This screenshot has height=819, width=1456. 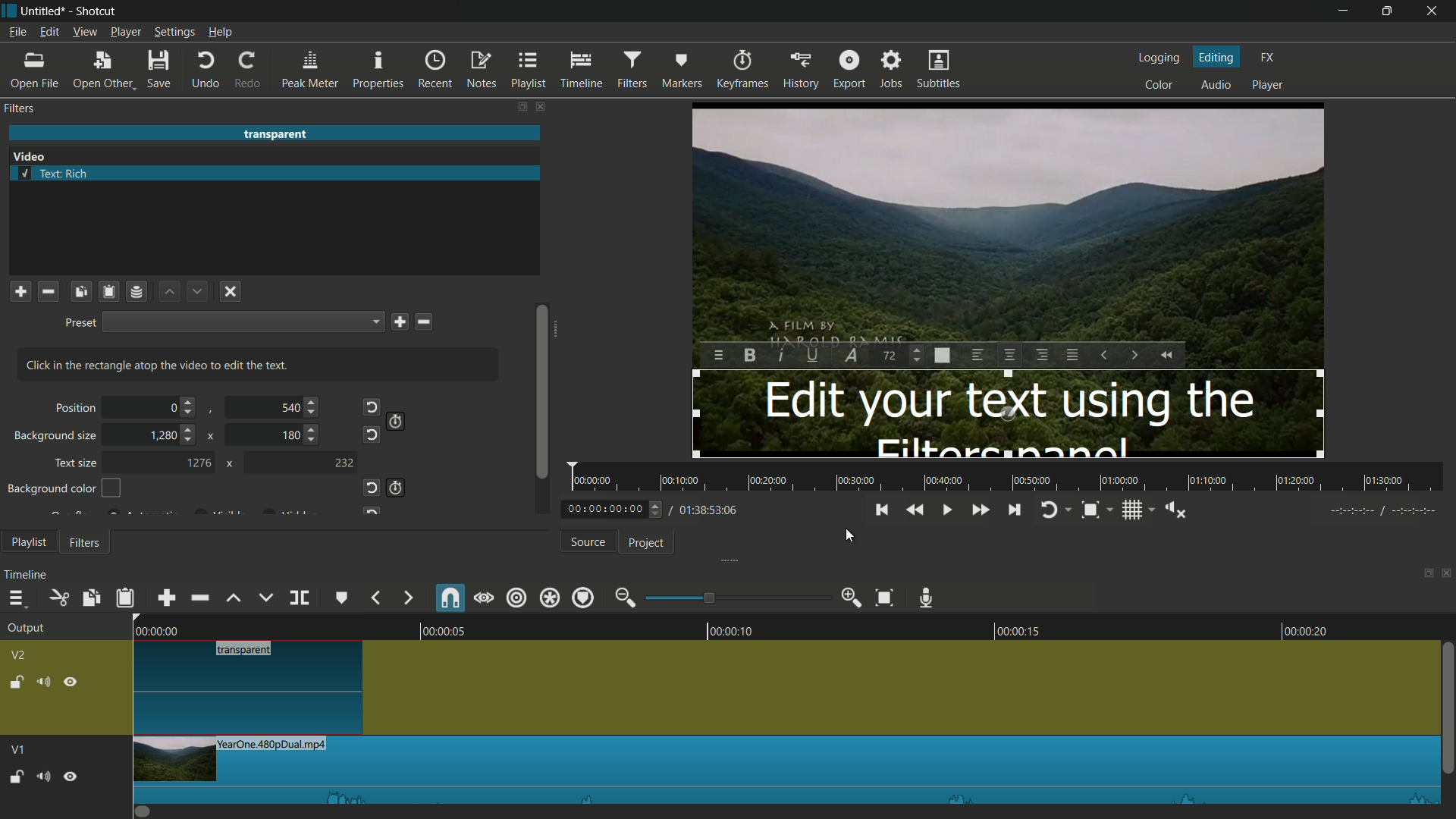 I want to click on open file, so click(x=33, y=71).